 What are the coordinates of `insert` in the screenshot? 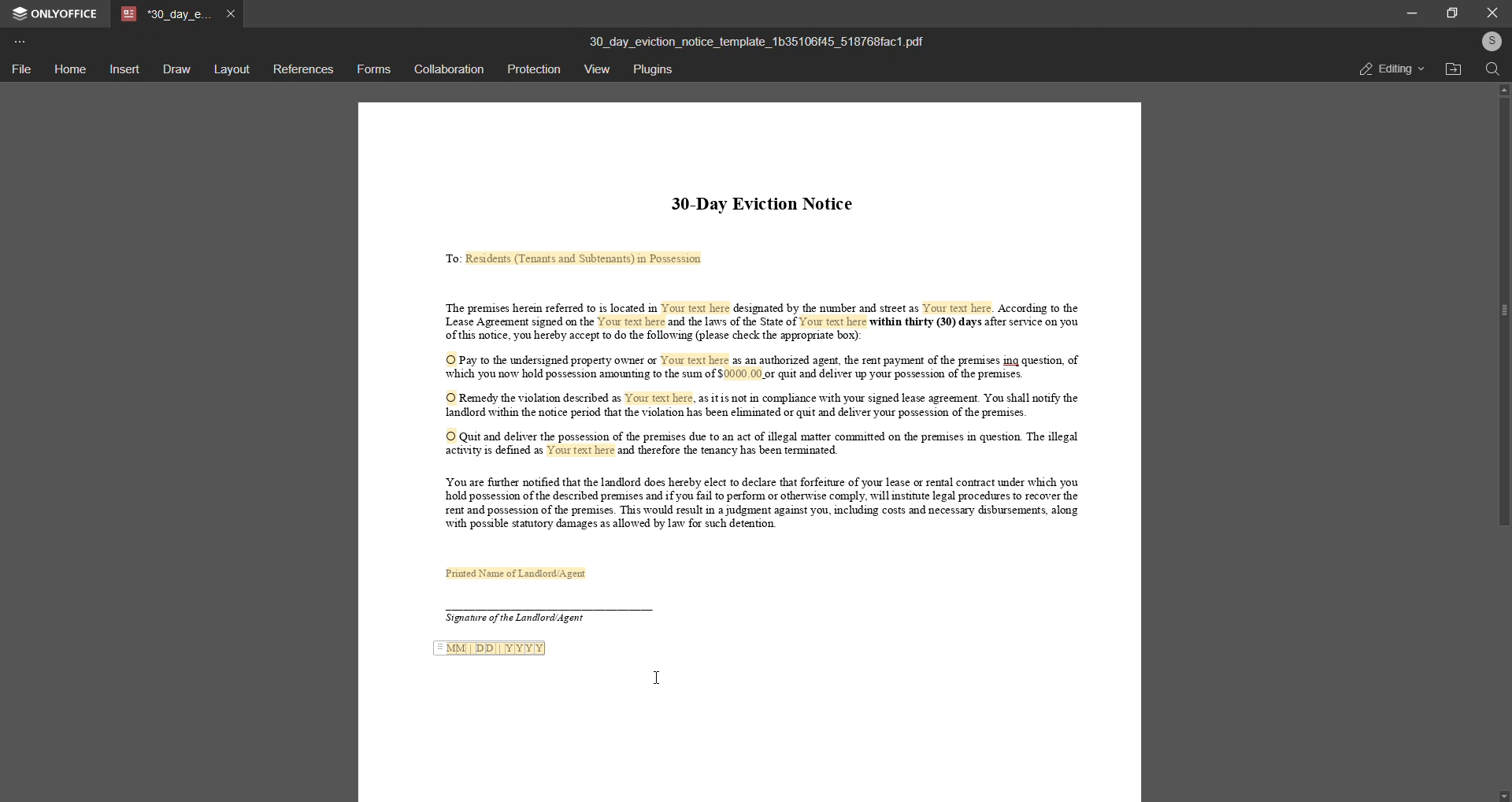 It's located at (121, 70).